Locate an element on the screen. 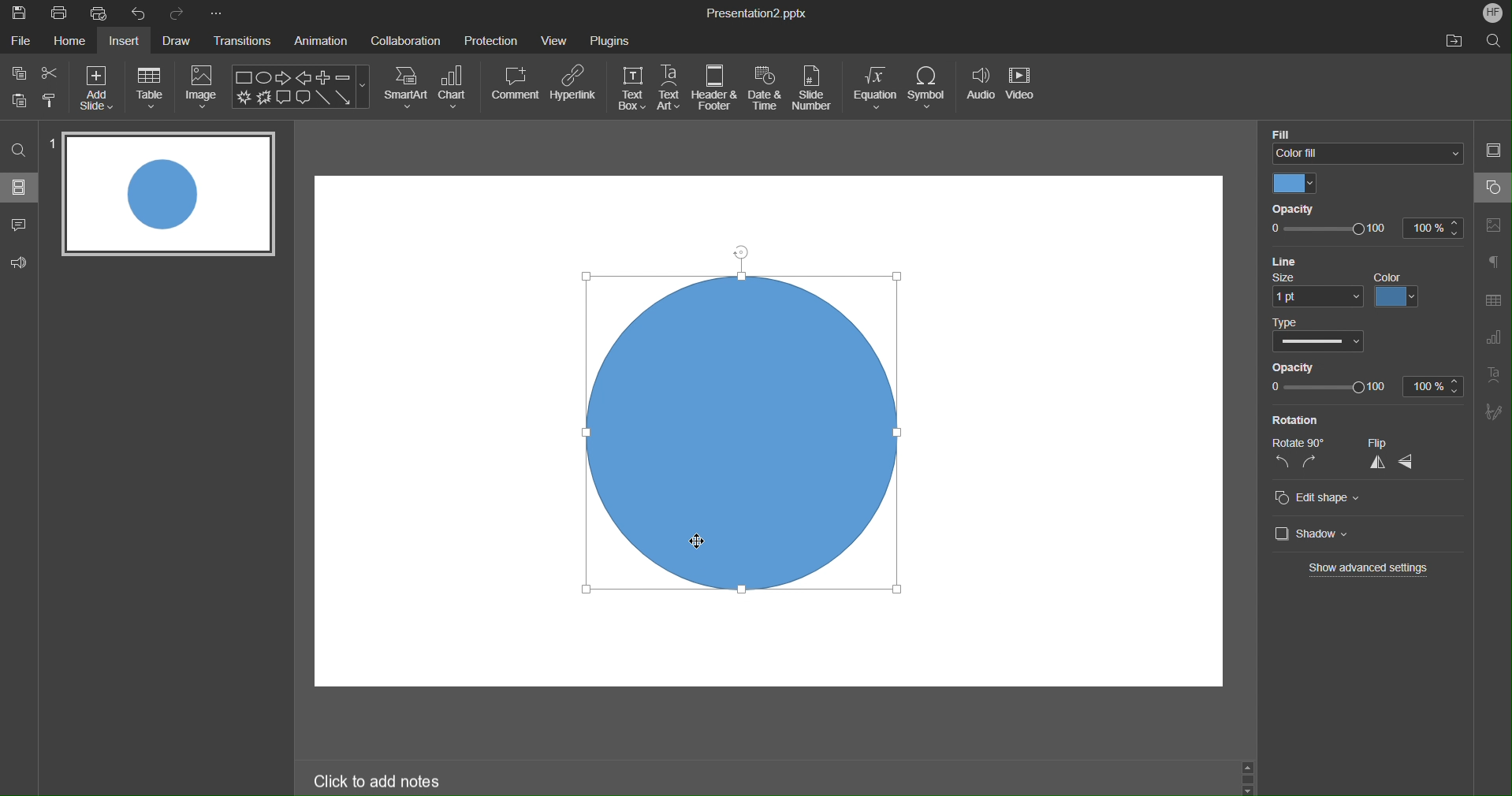 Image resolution: width=1512 pixels, height=796 pixels. Quick Print is located at coordinates (103, 14).